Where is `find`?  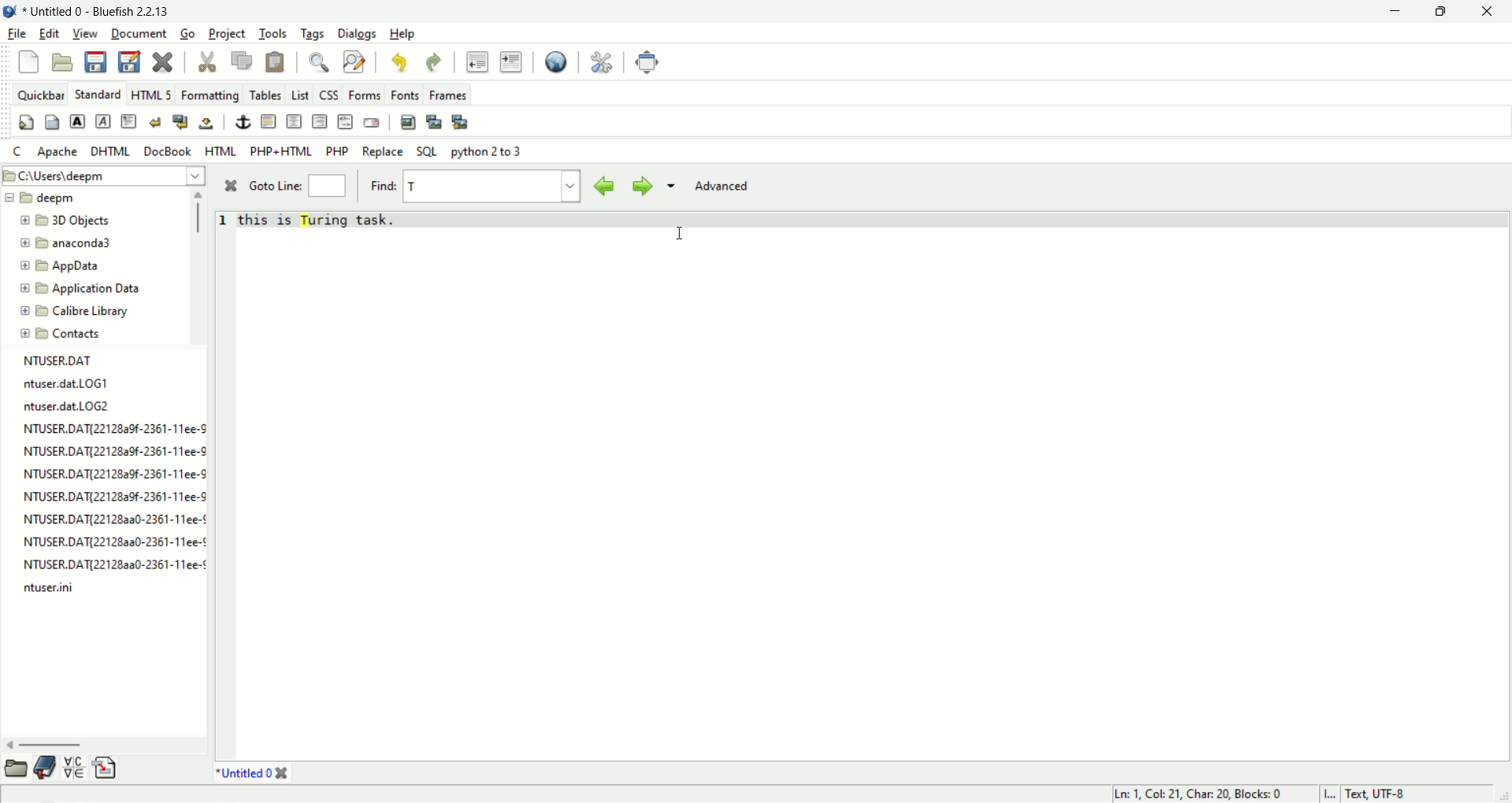 find is located at coordinates (323, 63).